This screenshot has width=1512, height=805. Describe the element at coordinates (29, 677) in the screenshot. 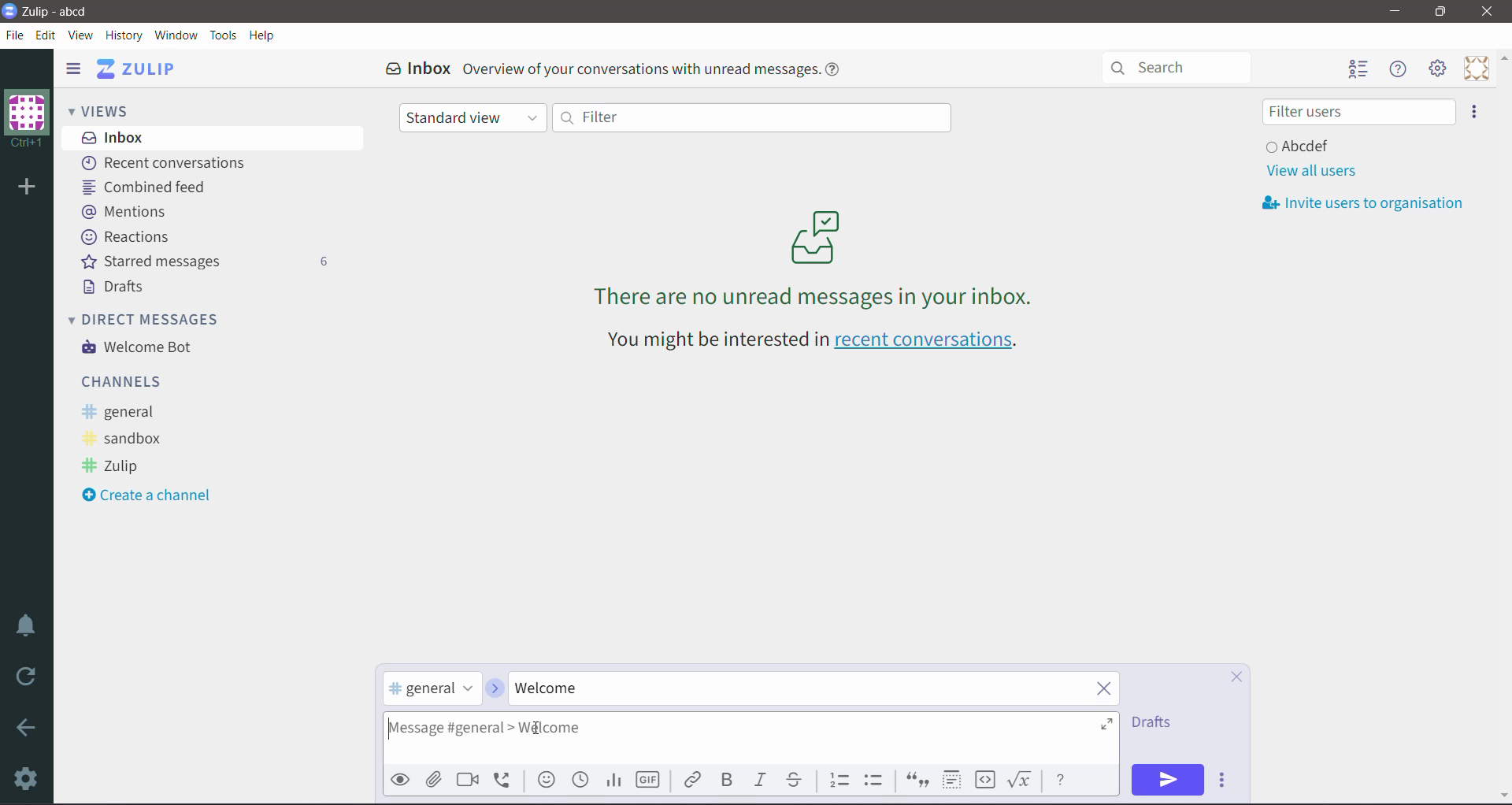

I see `Reload` at that location.